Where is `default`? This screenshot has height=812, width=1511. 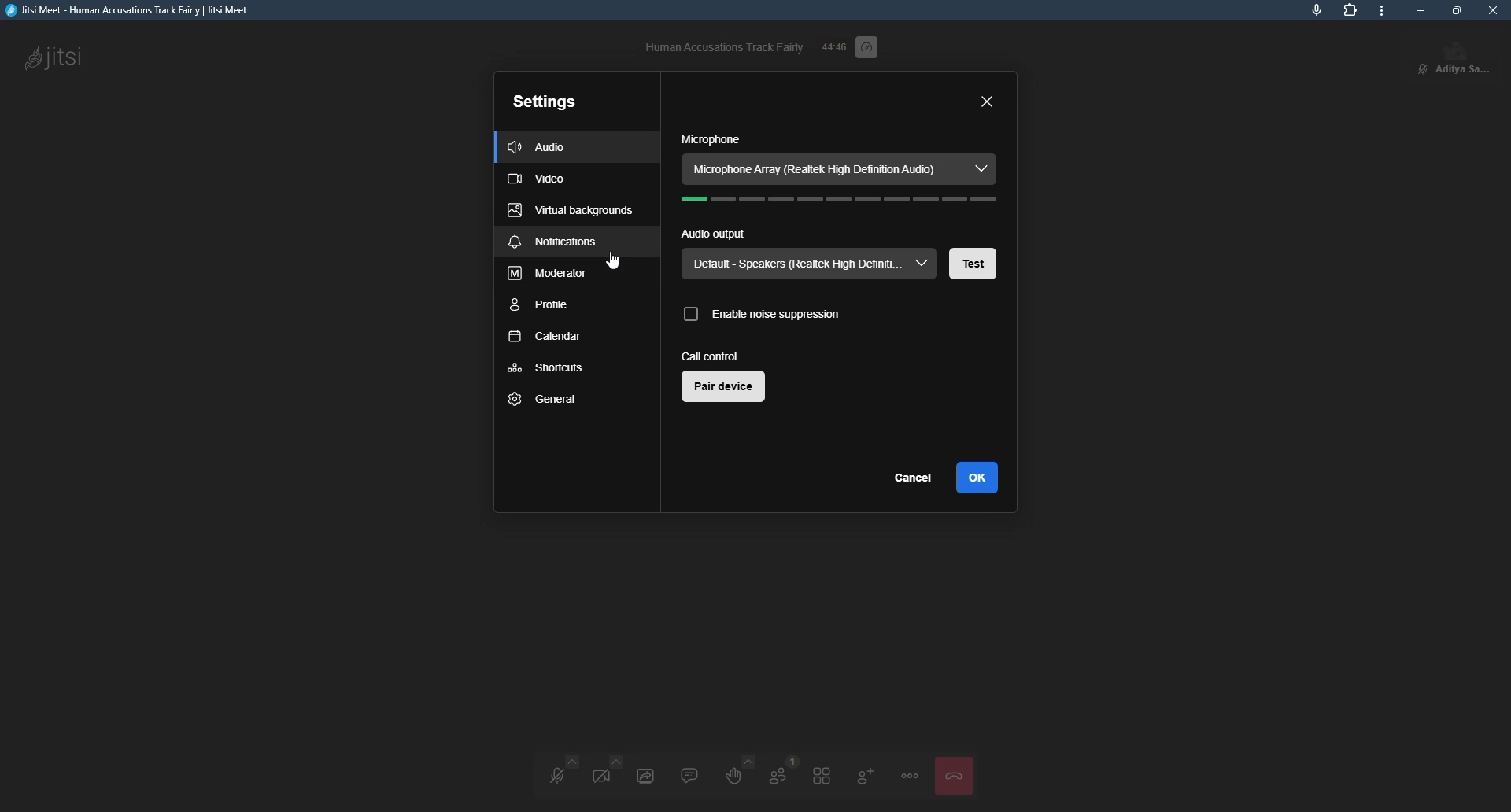 default is located at coordinates (792, 264).